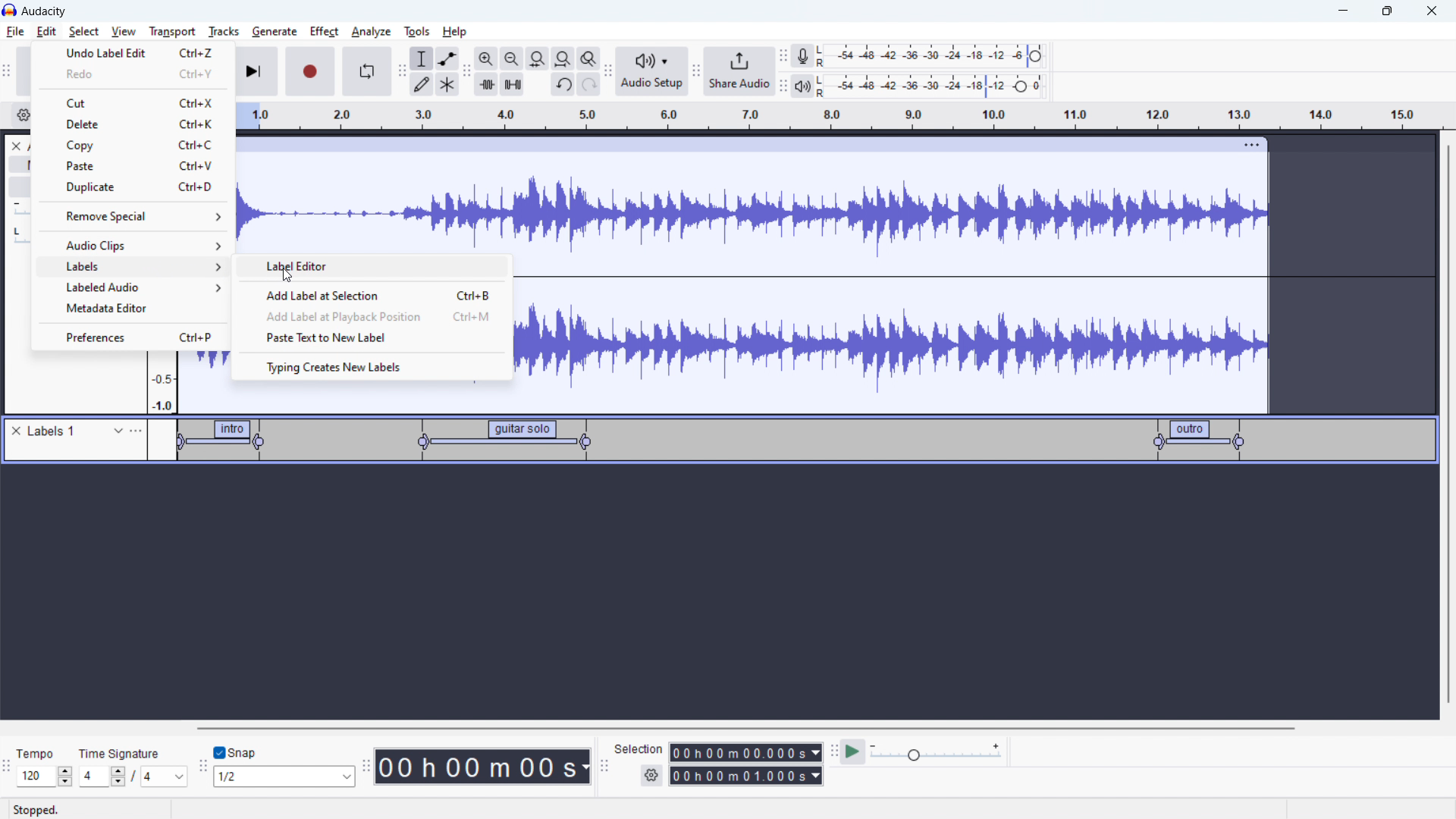 This screenshot has width=1456, height=819. What do you see at coordinates (366, 71) in the screenshot?
I see `enable loop` at bounding box center [366, 71].